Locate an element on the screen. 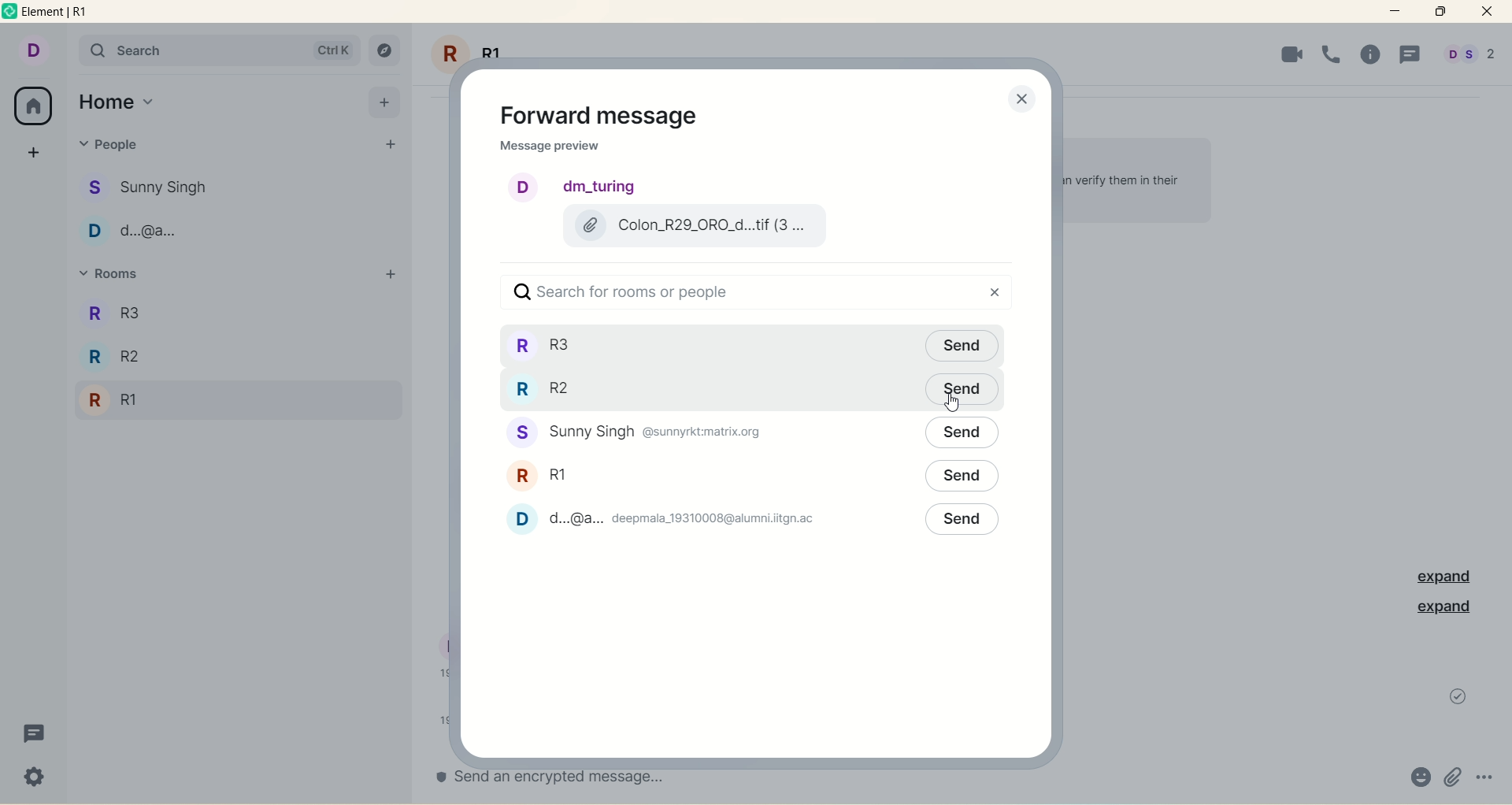  people is located at coordinates (121, 148).